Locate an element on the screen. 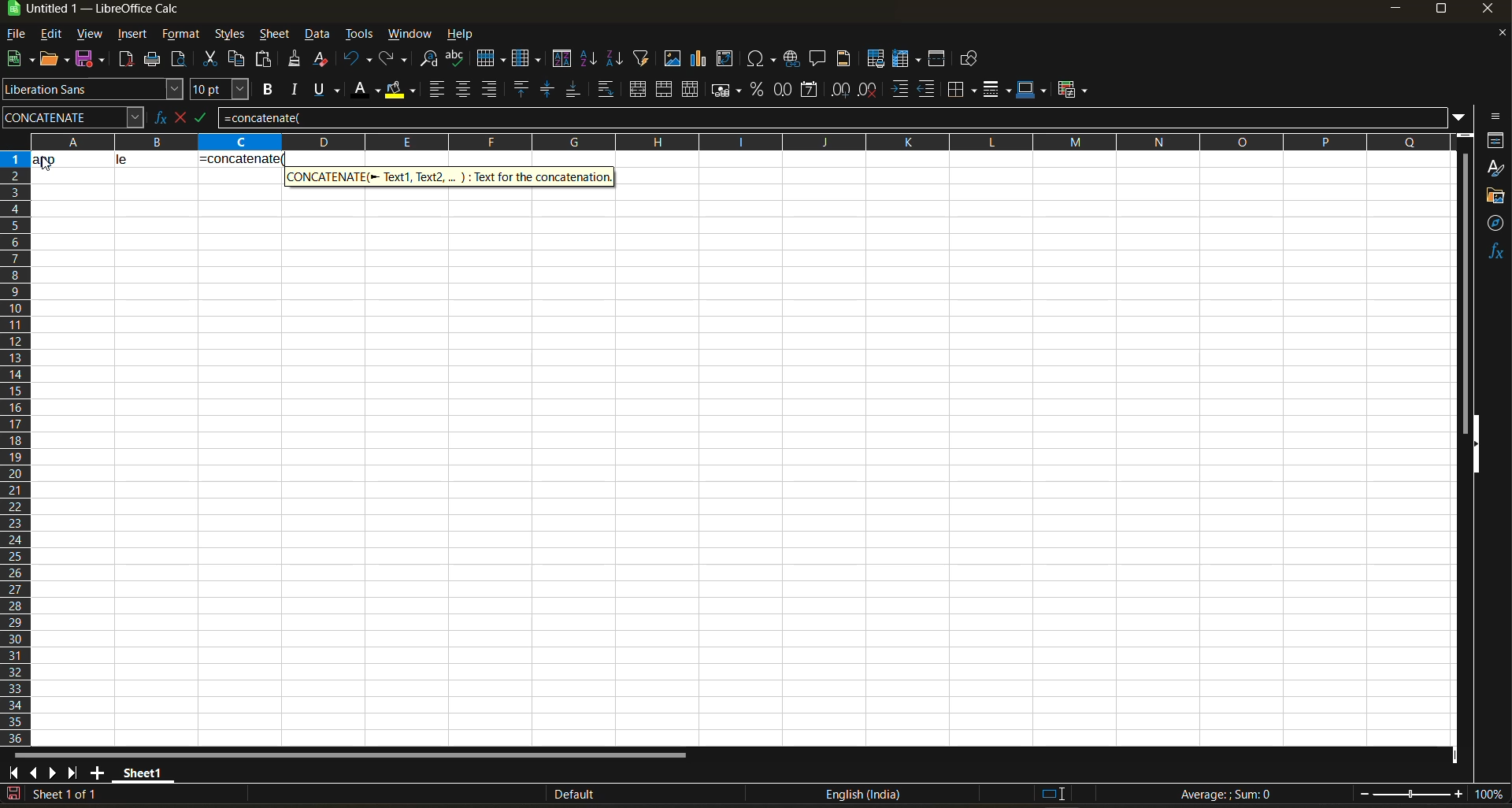  format is located at coordinates (182, 36).